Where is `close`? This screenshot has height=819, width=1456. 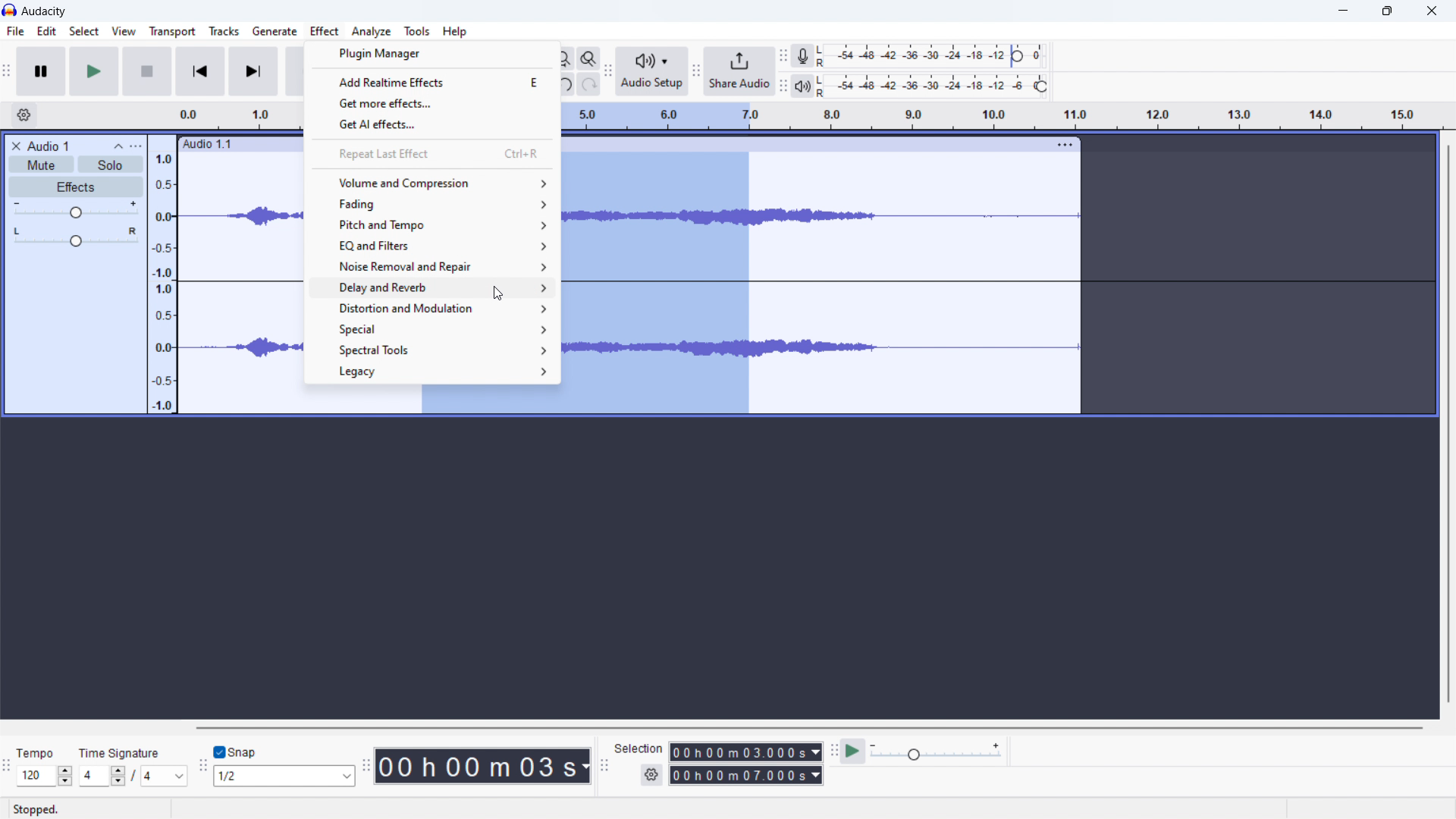 close is located at coordinates (1432, 11).